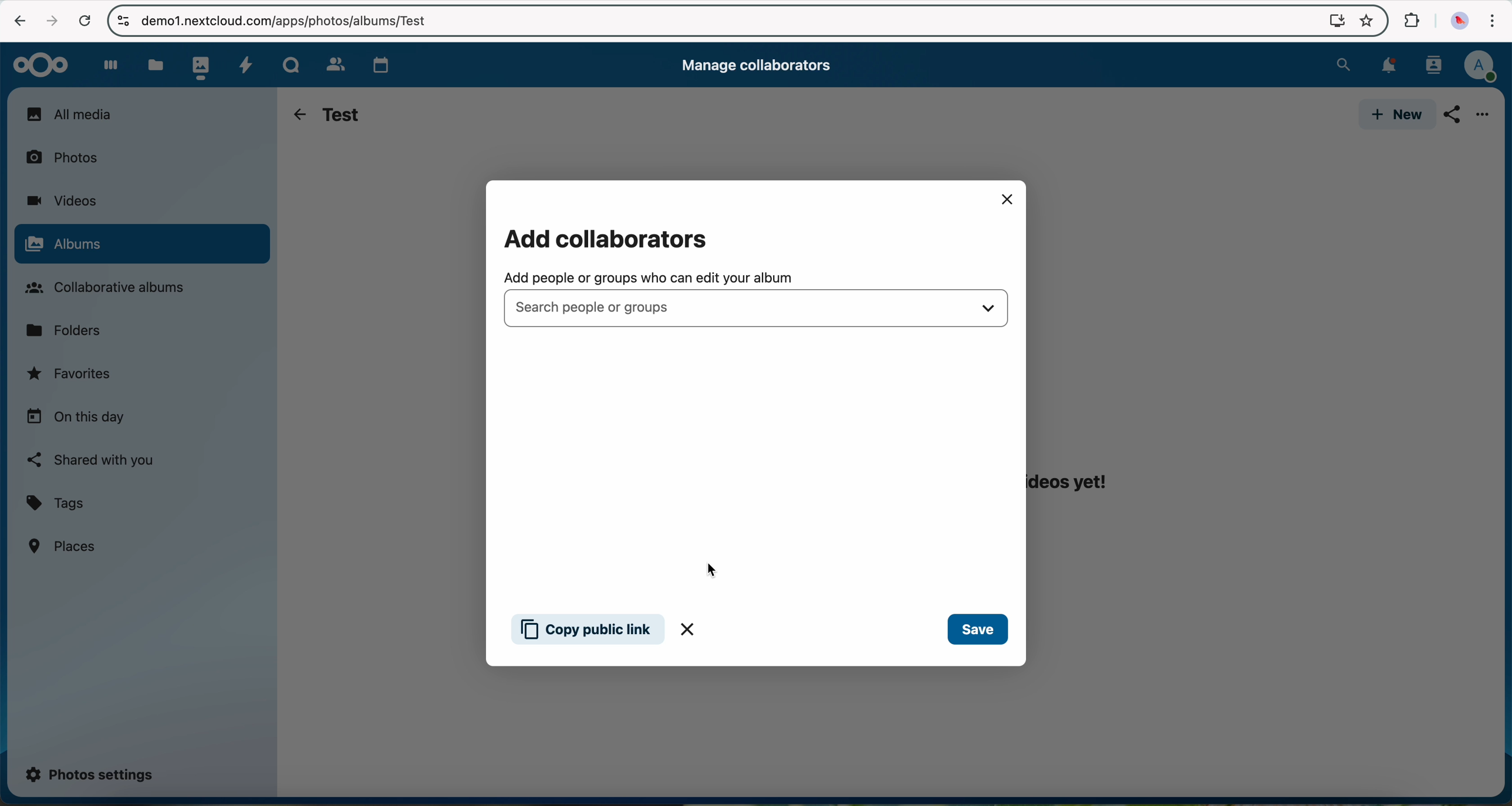  I want to click on favorites, so click(1365, 22).